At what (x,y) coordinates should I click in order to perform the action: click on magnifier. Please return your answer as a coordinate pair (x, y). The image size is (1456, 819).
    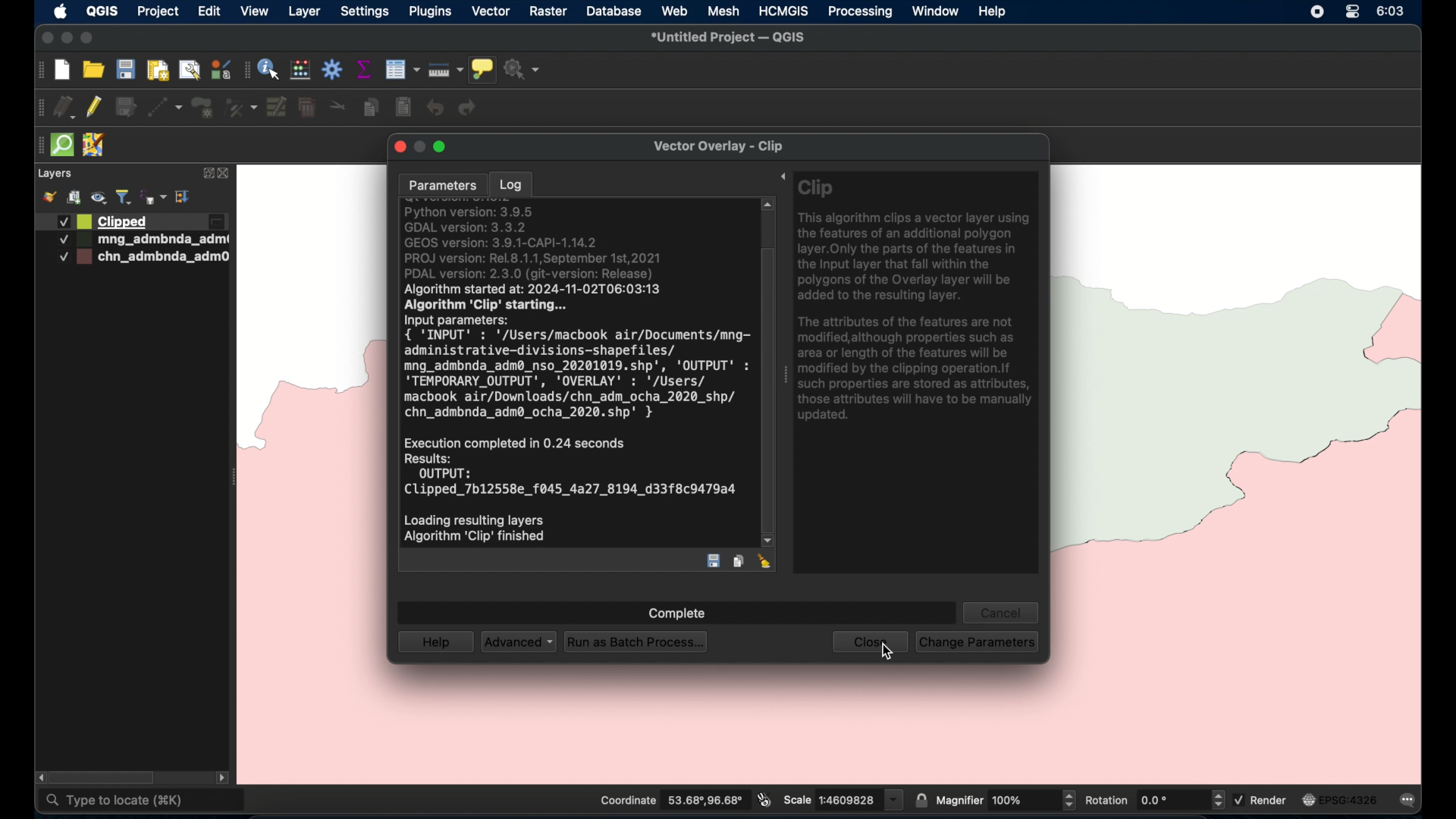
    Looking at the image, I should click on (1006, 799).